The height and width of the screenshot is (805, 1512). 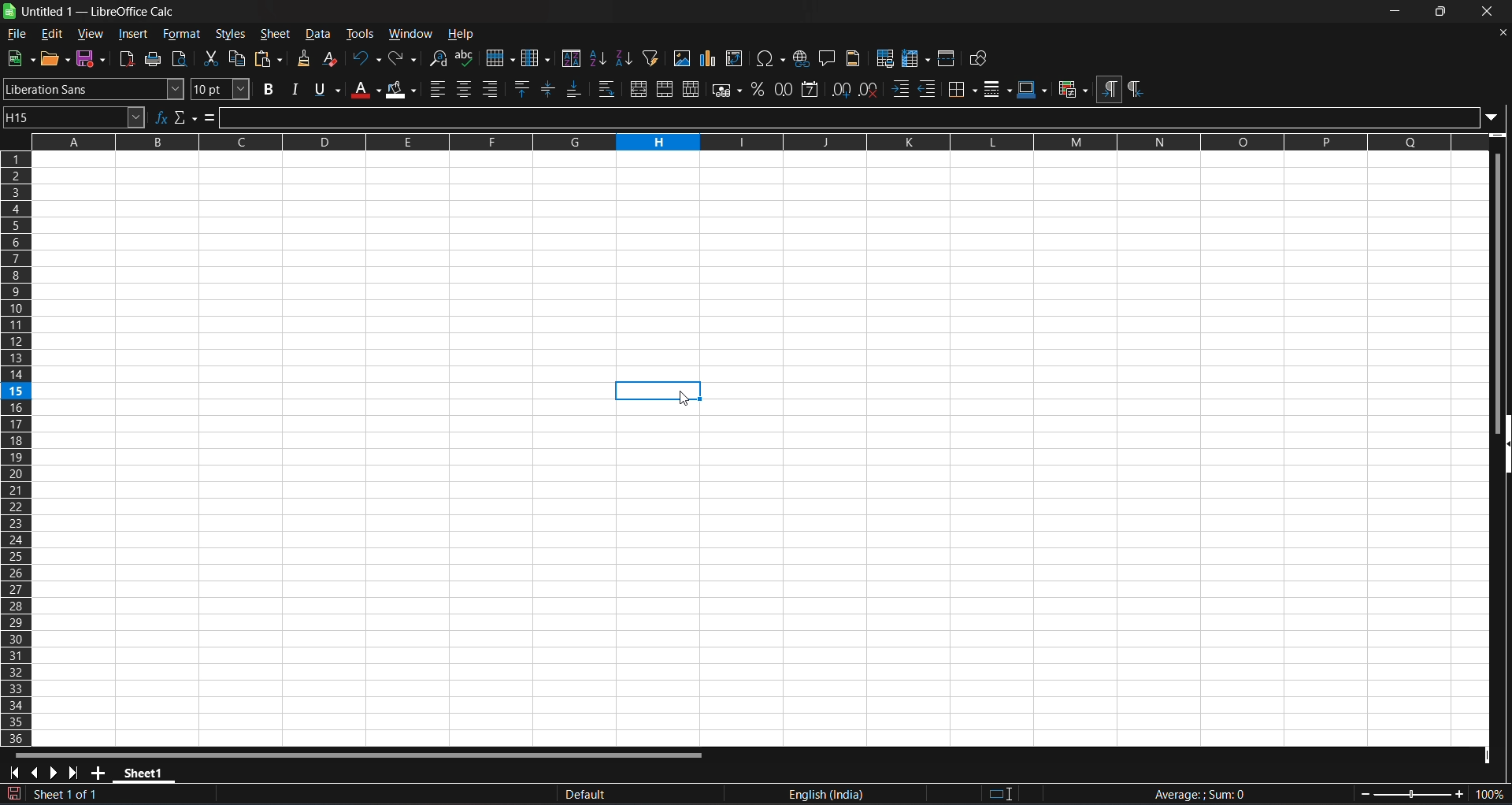 What do you see at coordinates (51, 34) in the screenshot?
I see `edit` at bounding box center [51, 34].